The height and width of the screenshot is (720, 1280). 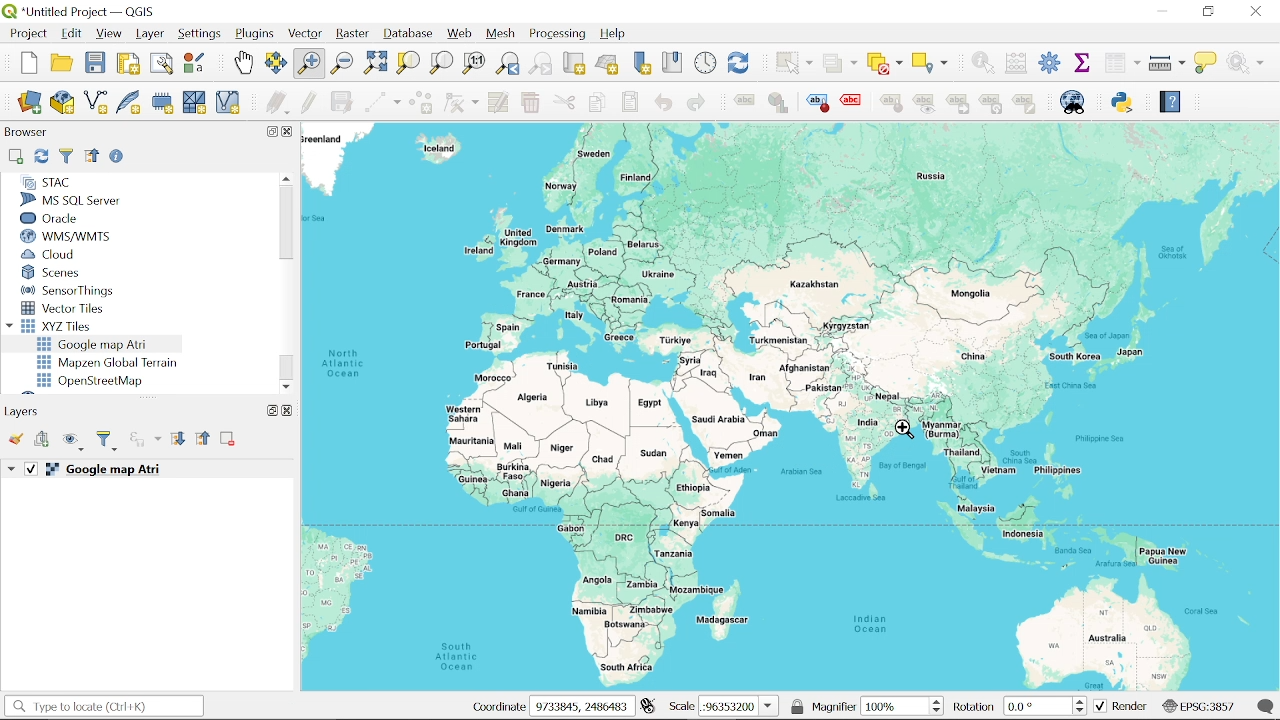 What do you see at coordinates (1014, 63) in the screenshot?
I see `Open field calculator` at bounding box center [1014, 63].